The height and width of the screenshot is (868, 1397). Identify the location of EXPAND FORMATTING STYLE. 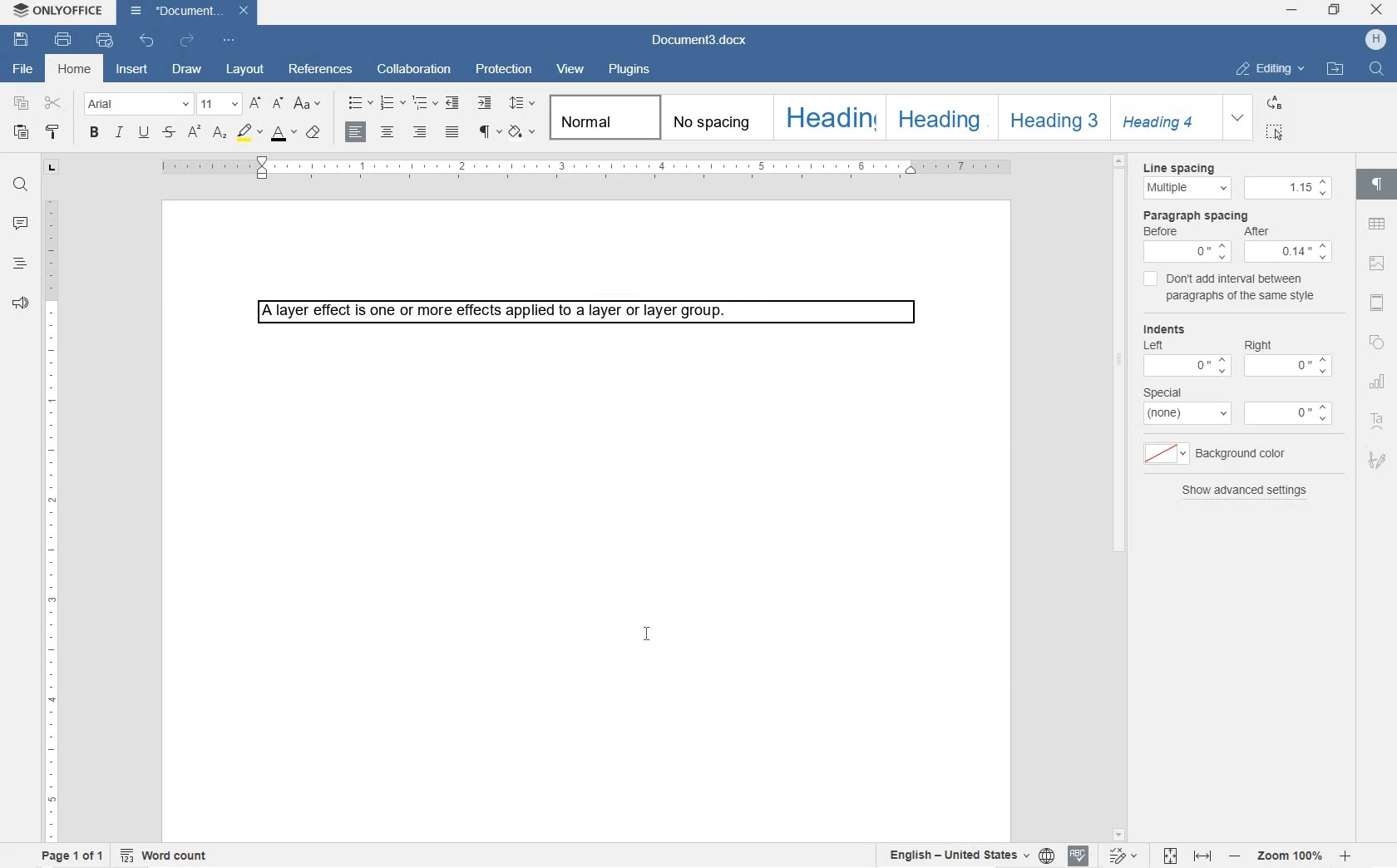
(1240, 119).